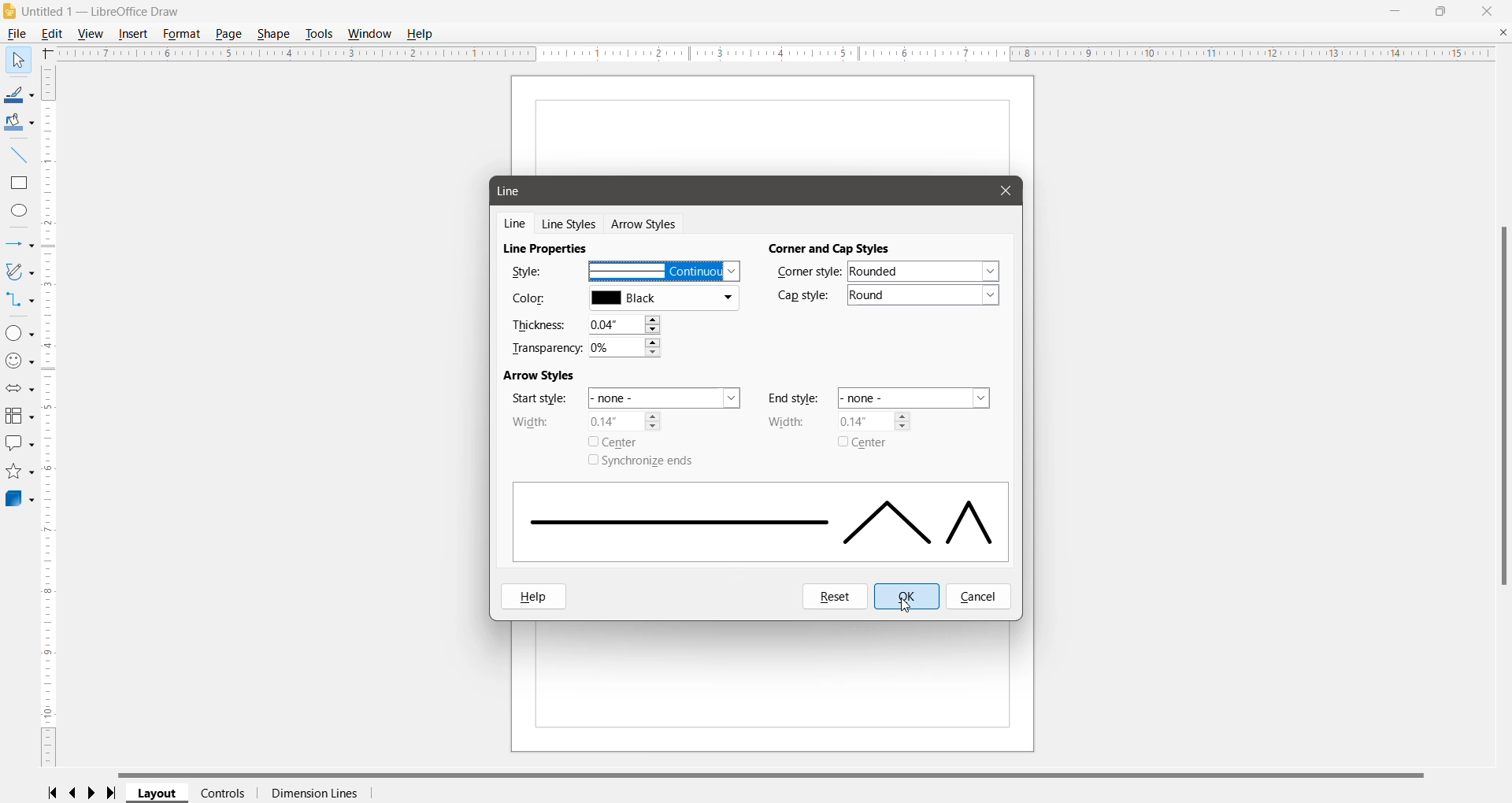 This screenshot has height=803, width=1512. What do you see at coordinates (319, 34) in the screenshot?
I see `Tools` at bounding box center [319, 34].